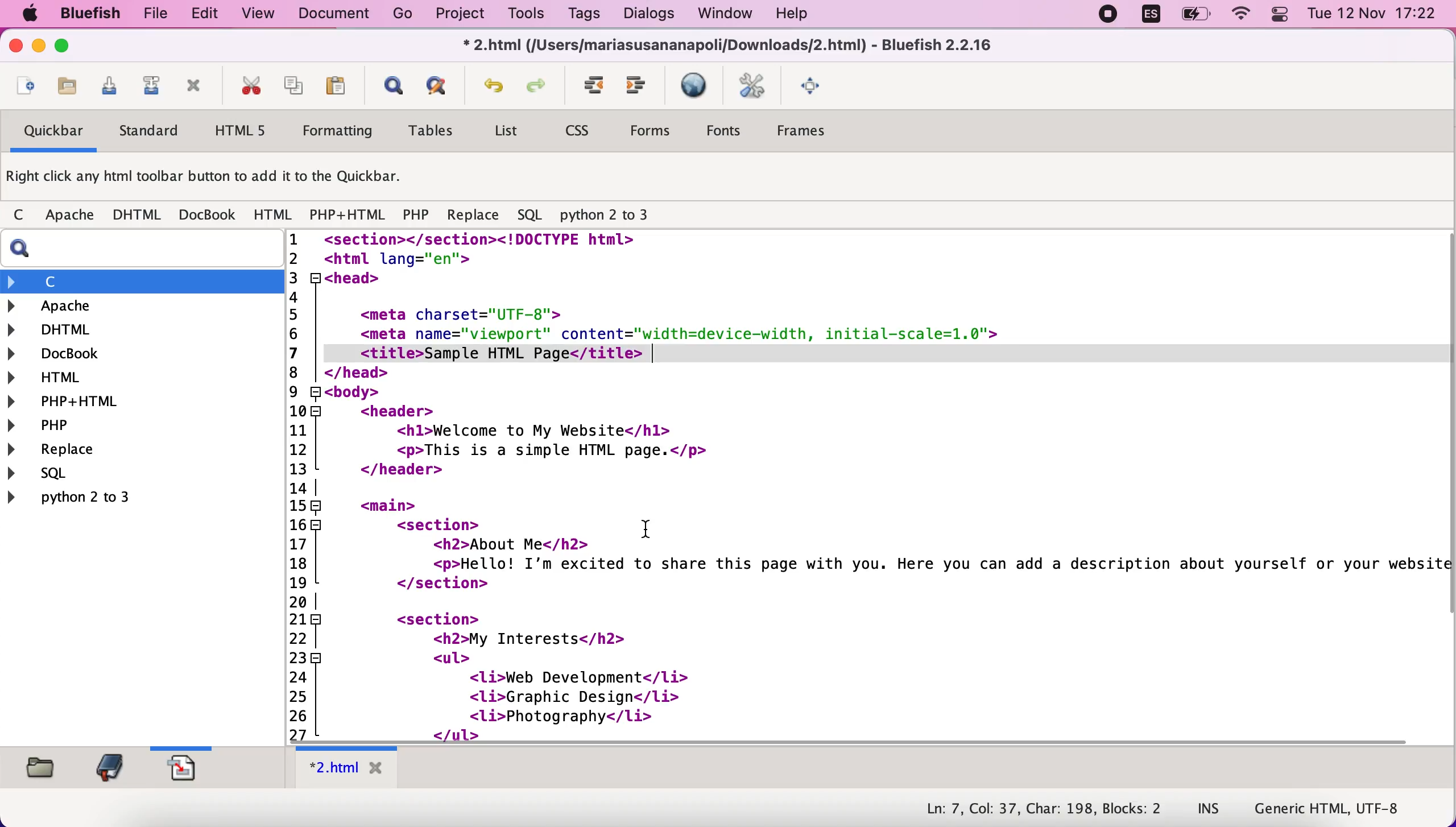  I want to click on sql, so click(87, 476).